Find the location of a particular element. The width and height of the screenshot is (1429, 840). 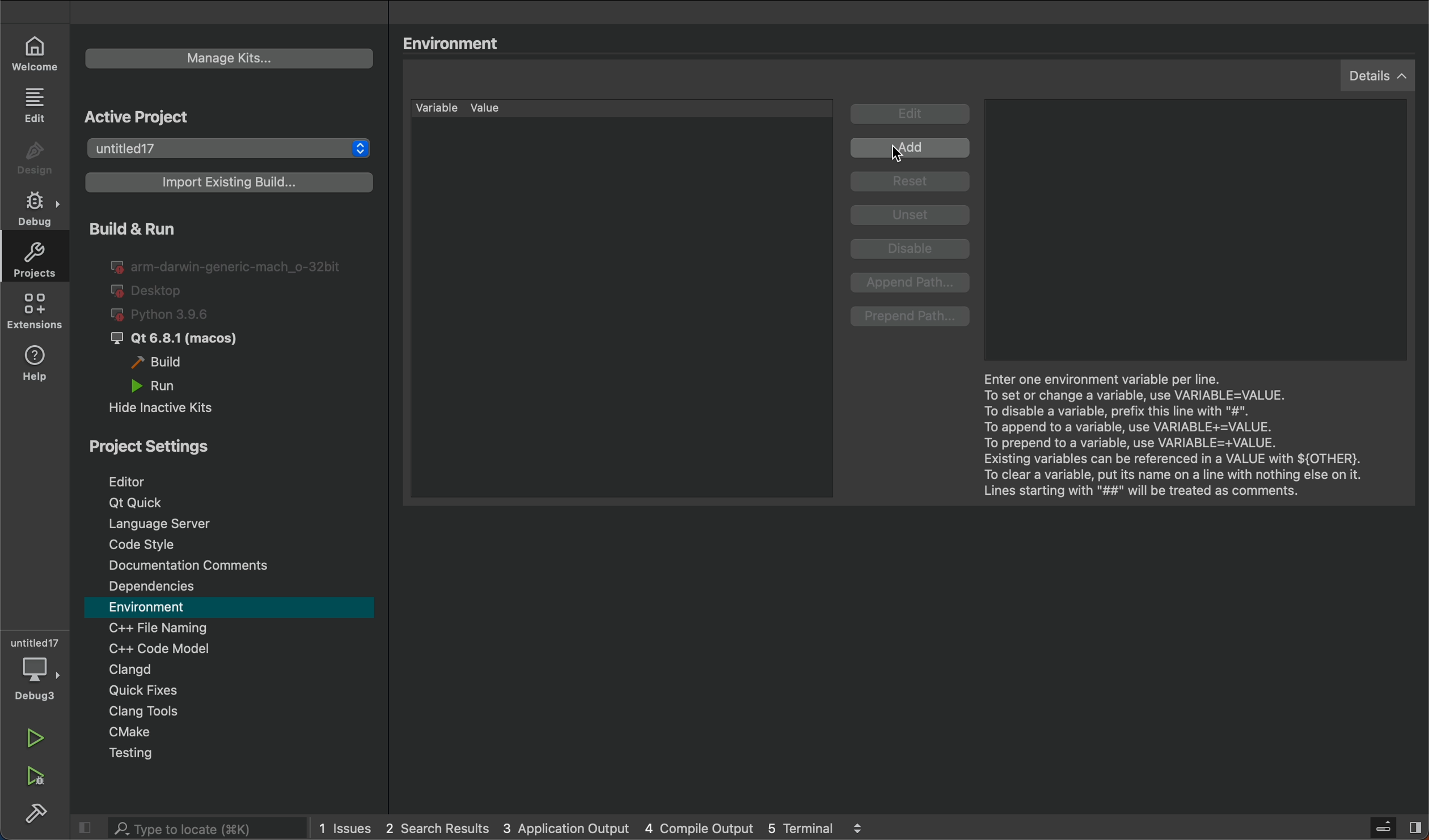

file naming is located at coordinates (232, 628).